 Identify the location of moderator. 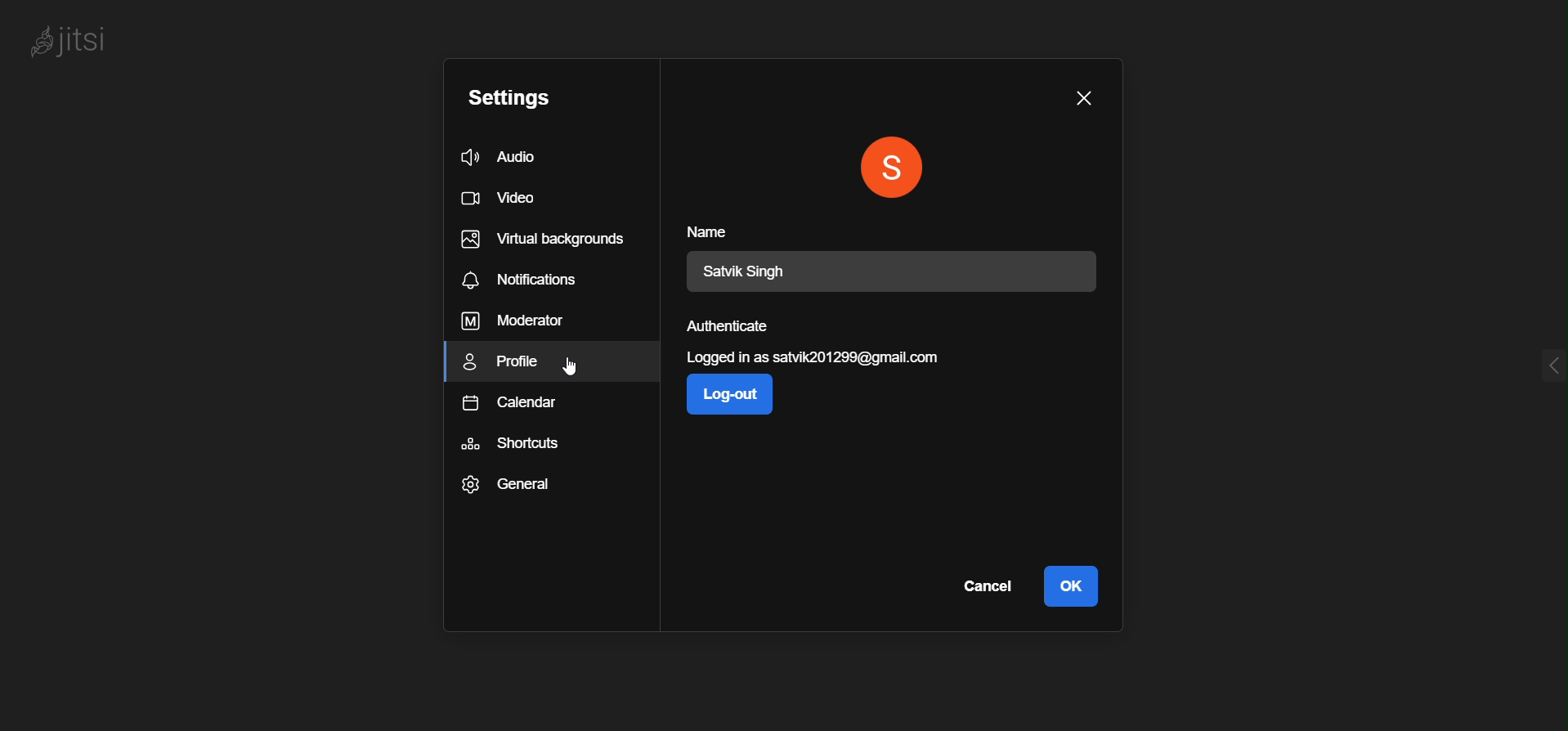
(513, 322).